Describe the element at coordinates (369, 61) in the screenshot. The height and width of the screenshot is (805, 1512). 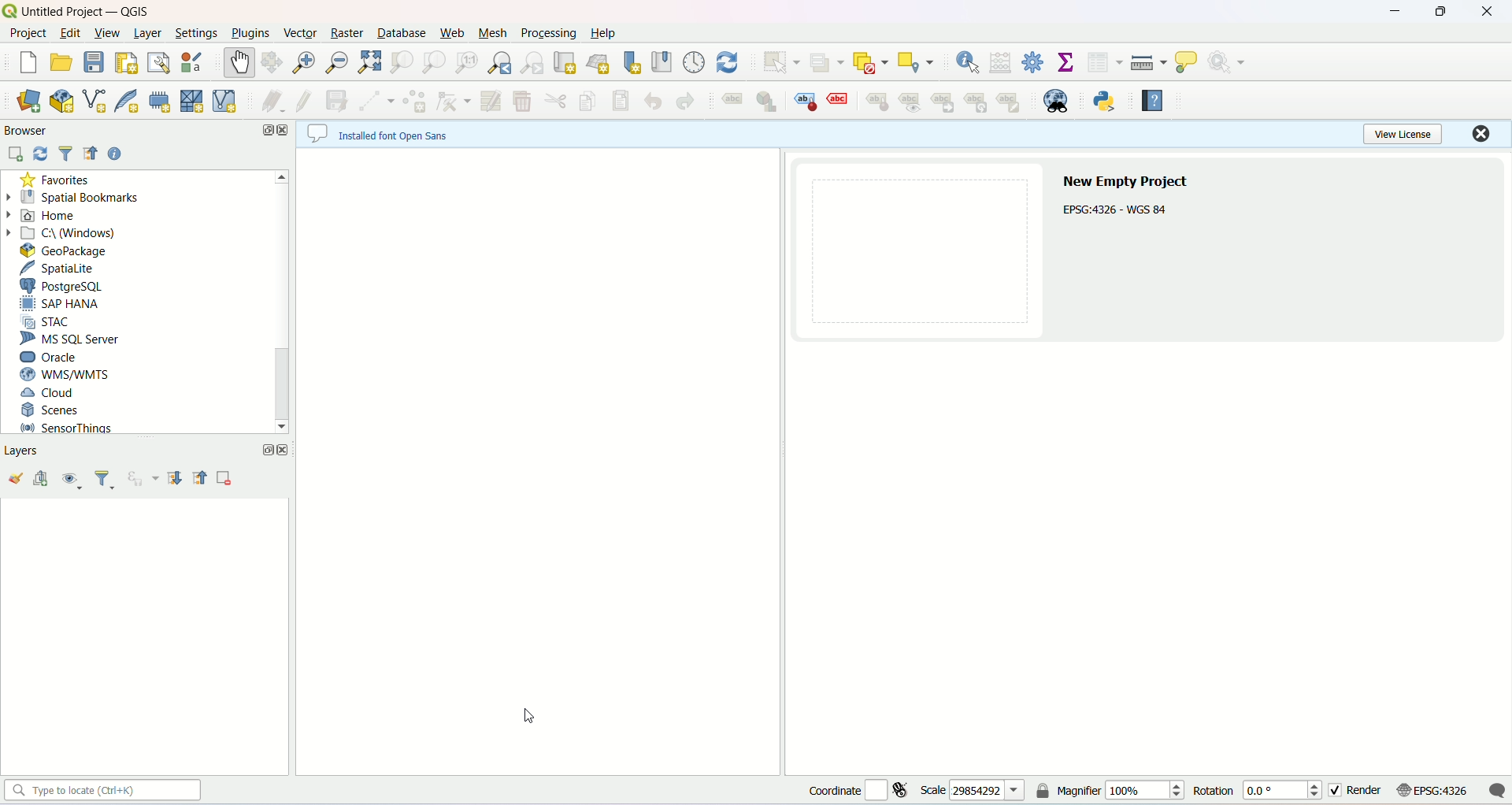
I see `zoom full` at that location.